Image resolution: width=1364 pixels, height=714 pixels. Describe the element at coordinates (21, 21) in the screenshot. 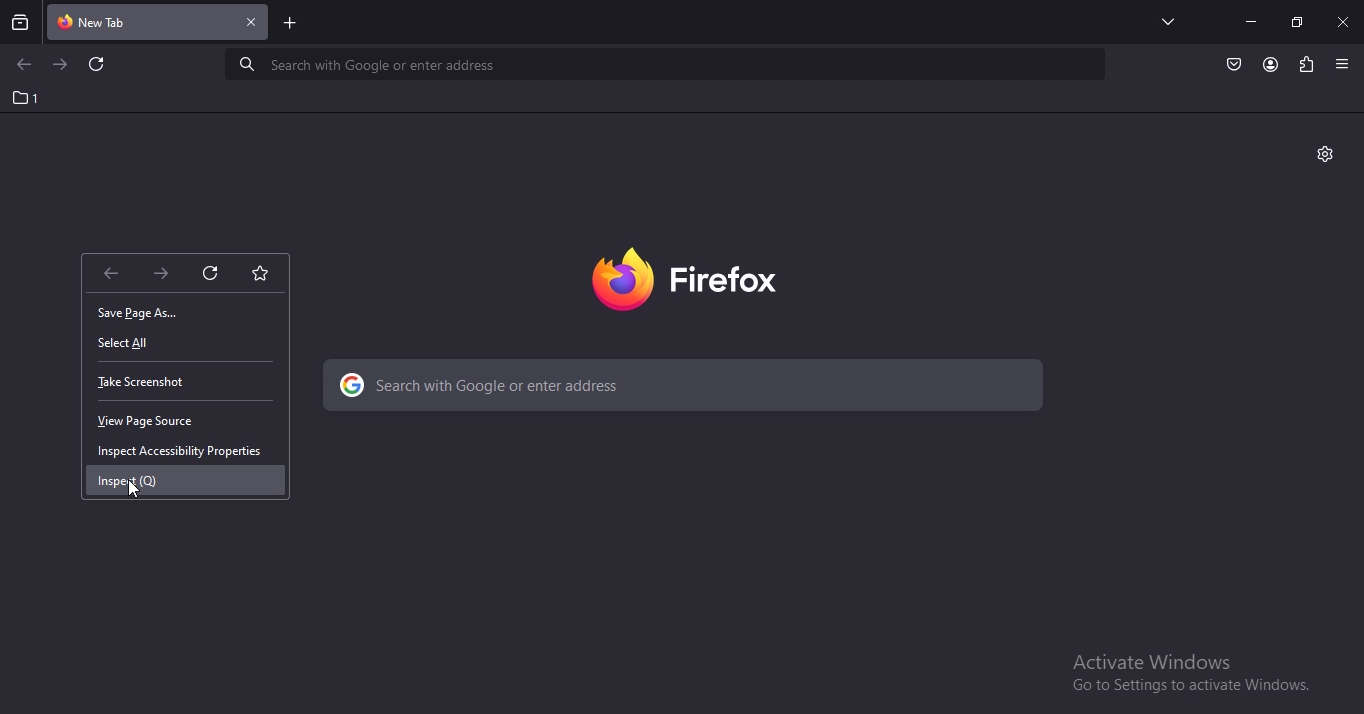

I see `search tabs` at that location.